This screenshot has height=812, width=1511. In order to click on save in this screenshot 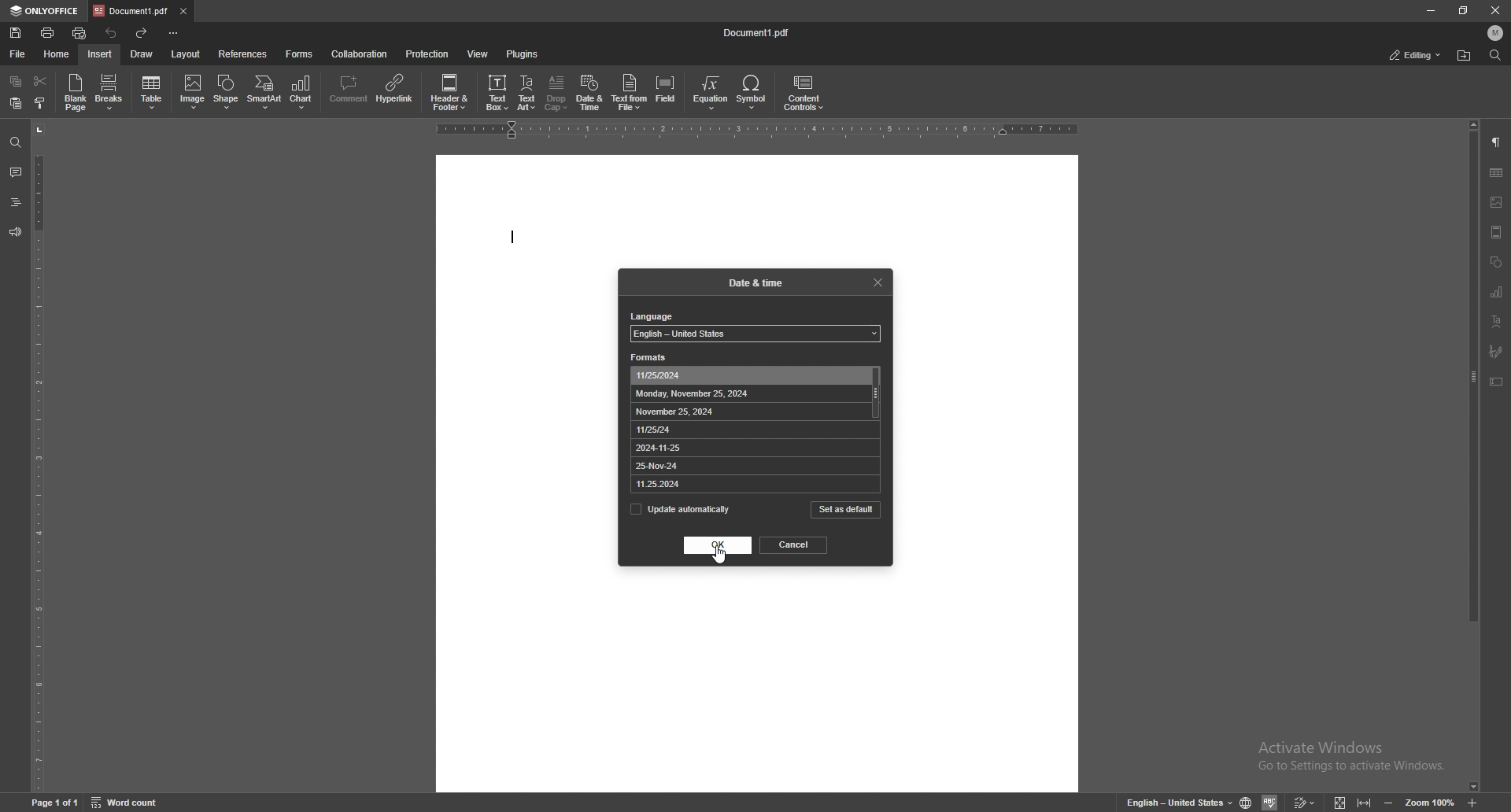, I will do `click(16, 33)`.